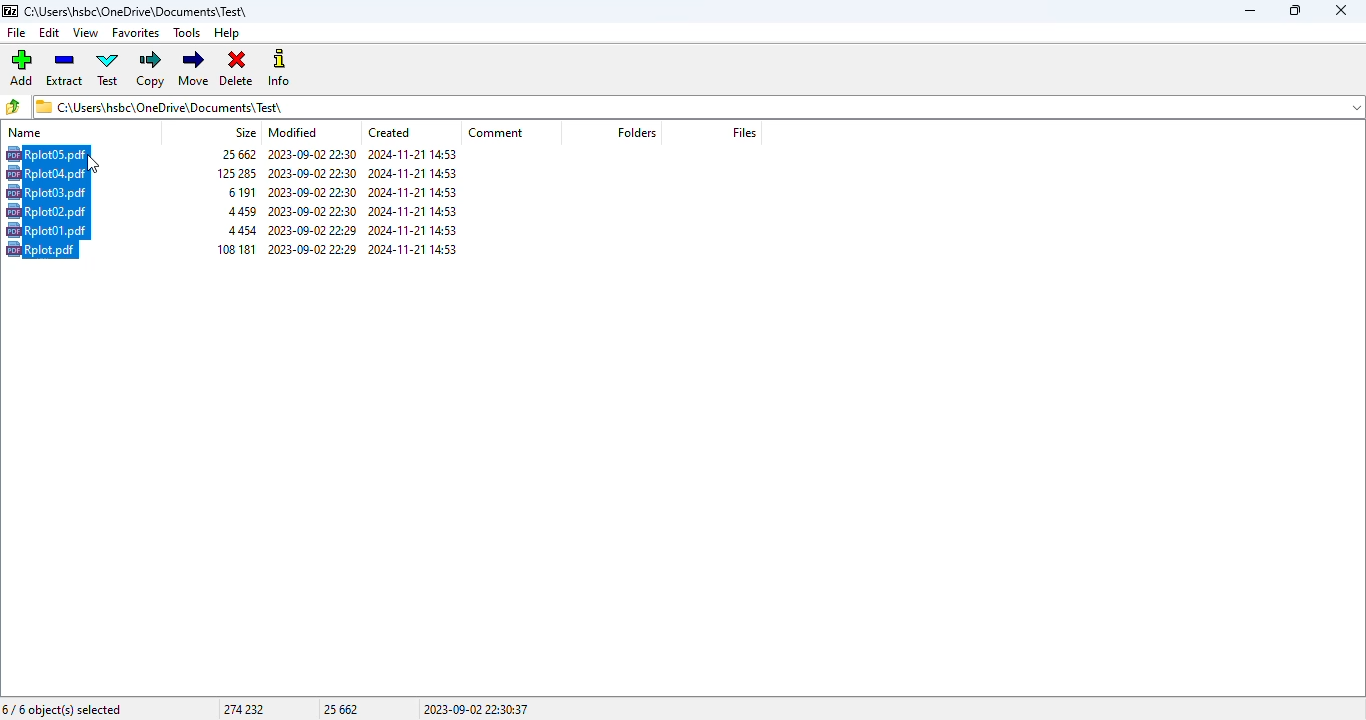 The image size is (1366, 720). Describe the element at coordinates (136, 33) in the screenshot. I see `favorites` at that location.